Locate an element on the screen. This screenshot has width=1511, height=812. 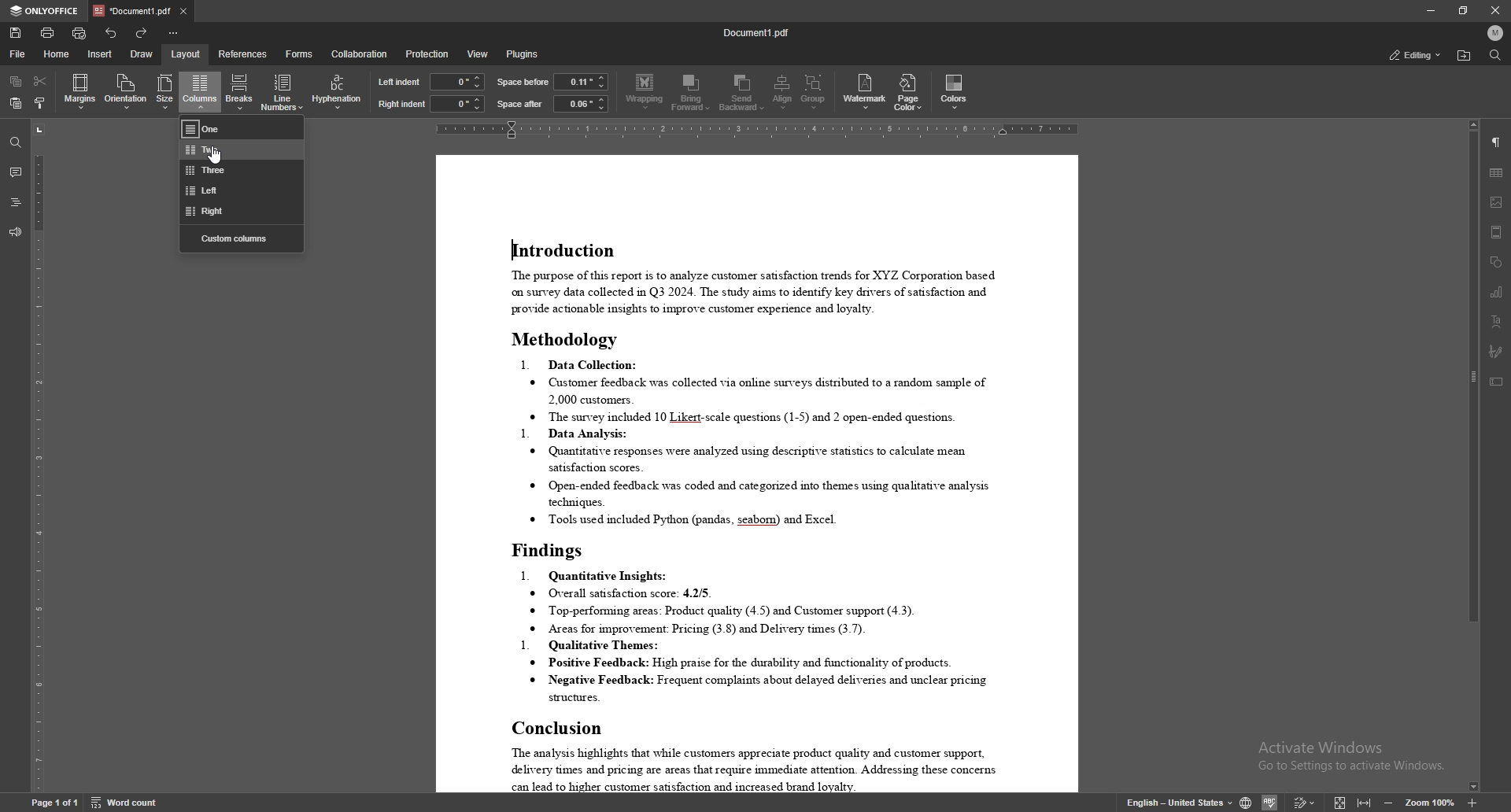
configure toolbar is located at coordinates (176, 32).